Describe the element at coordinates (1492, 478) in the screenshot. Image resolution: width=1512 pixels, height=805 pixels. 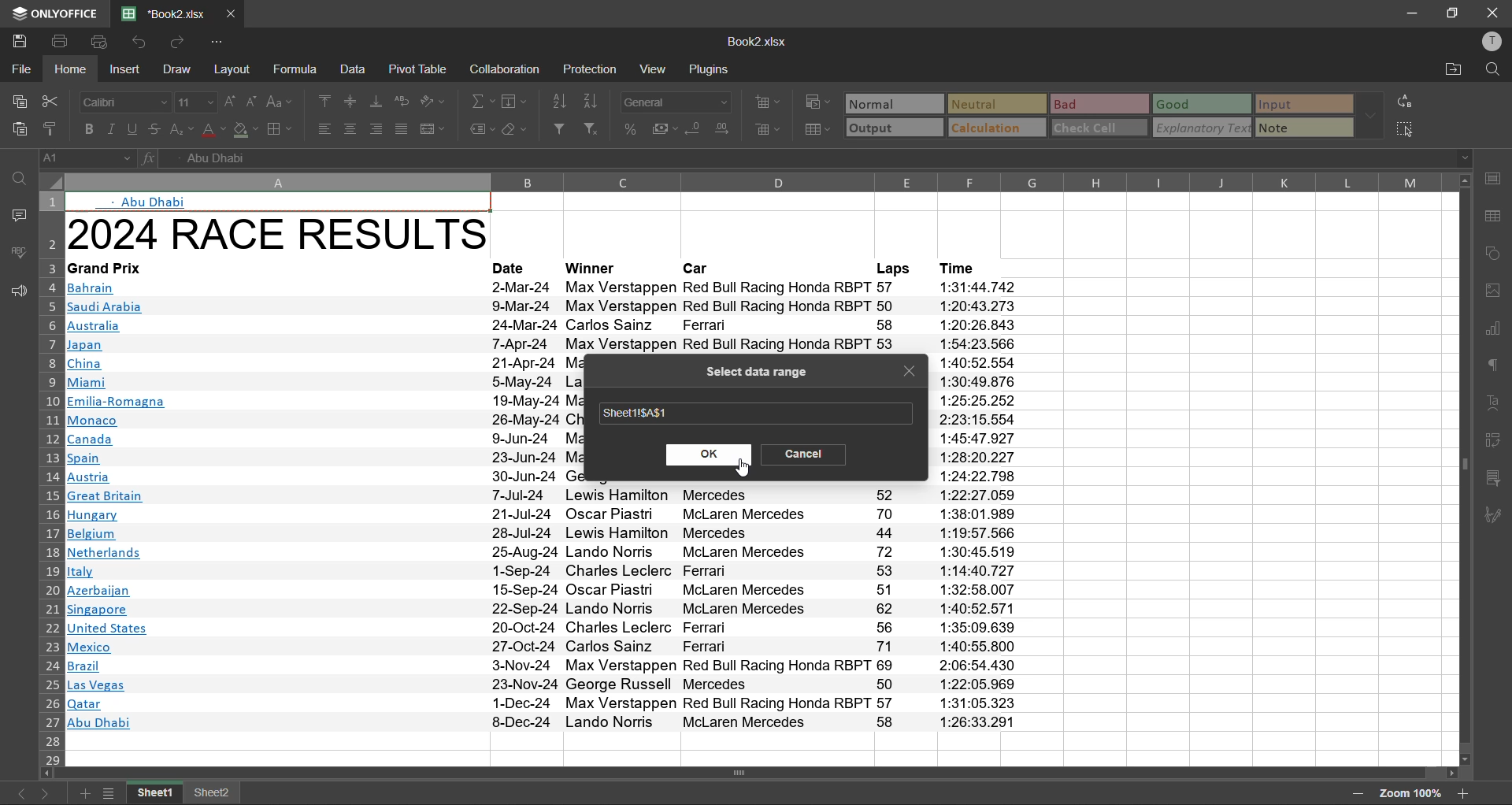
I see `slicer` at that location.